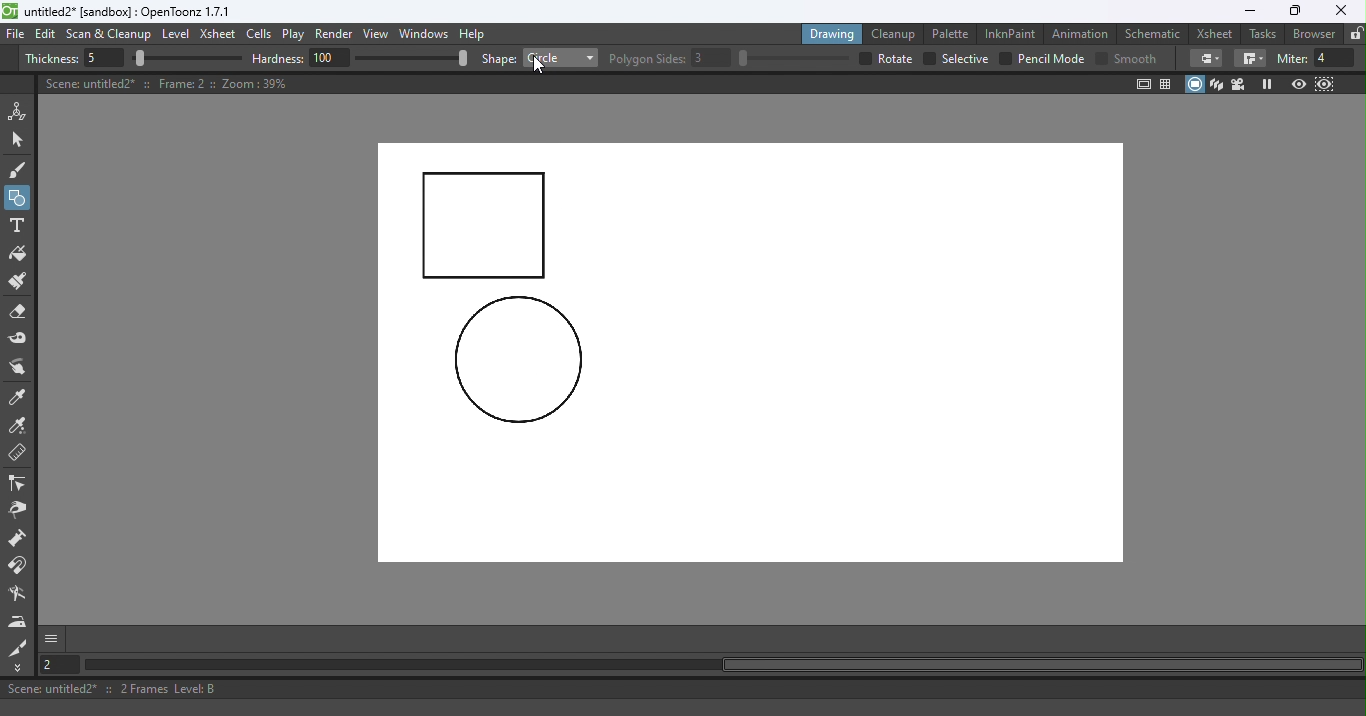 This screenshot has width=1366, height=716. Describe the element at coordinates (722, 665) in the screenshot. I see `Horizontal scroll bar` at that location.